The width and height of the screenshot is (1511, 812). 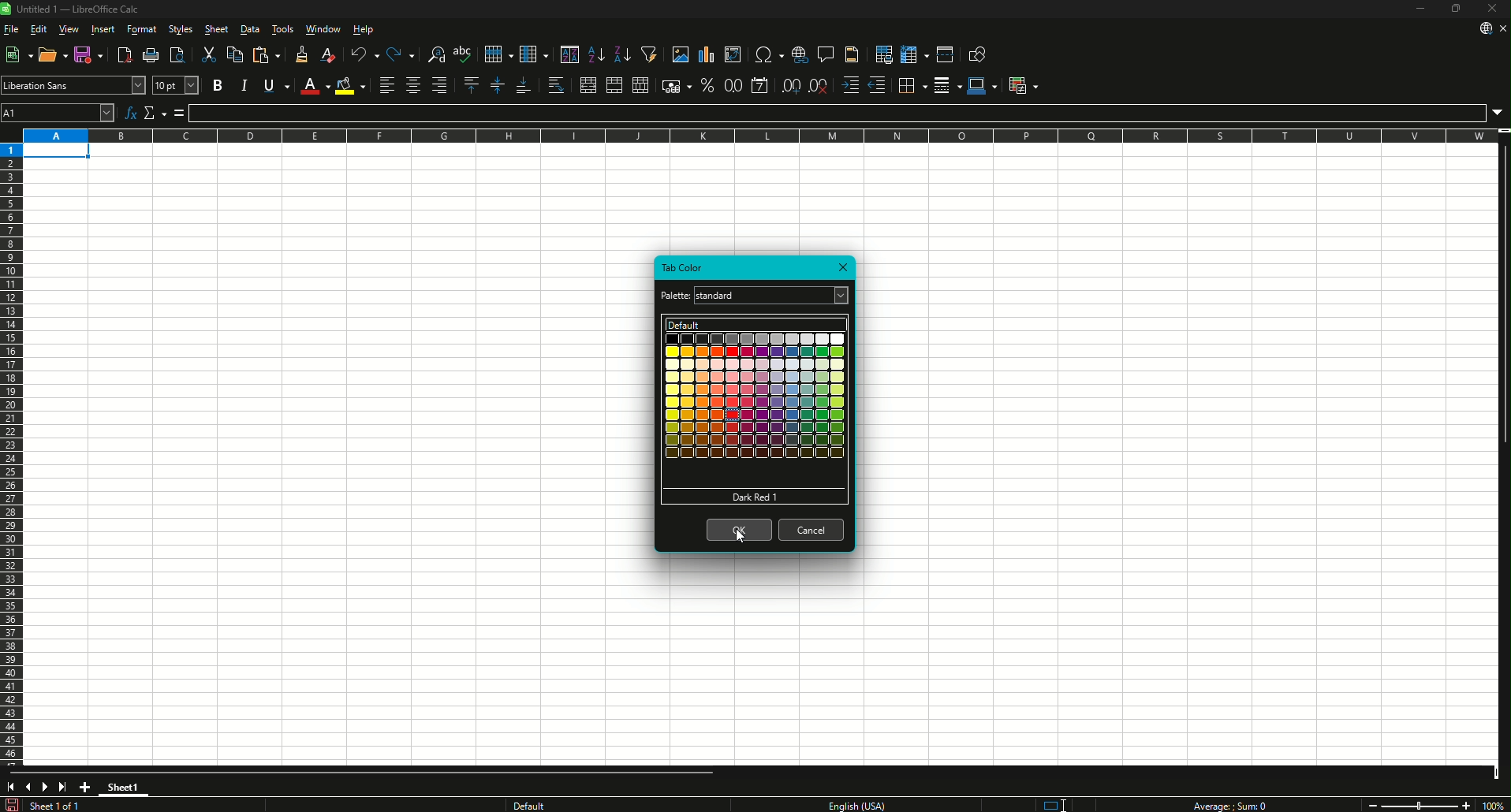 I want to click on Freeze Rows and Columns, so click(x=914, y=54).